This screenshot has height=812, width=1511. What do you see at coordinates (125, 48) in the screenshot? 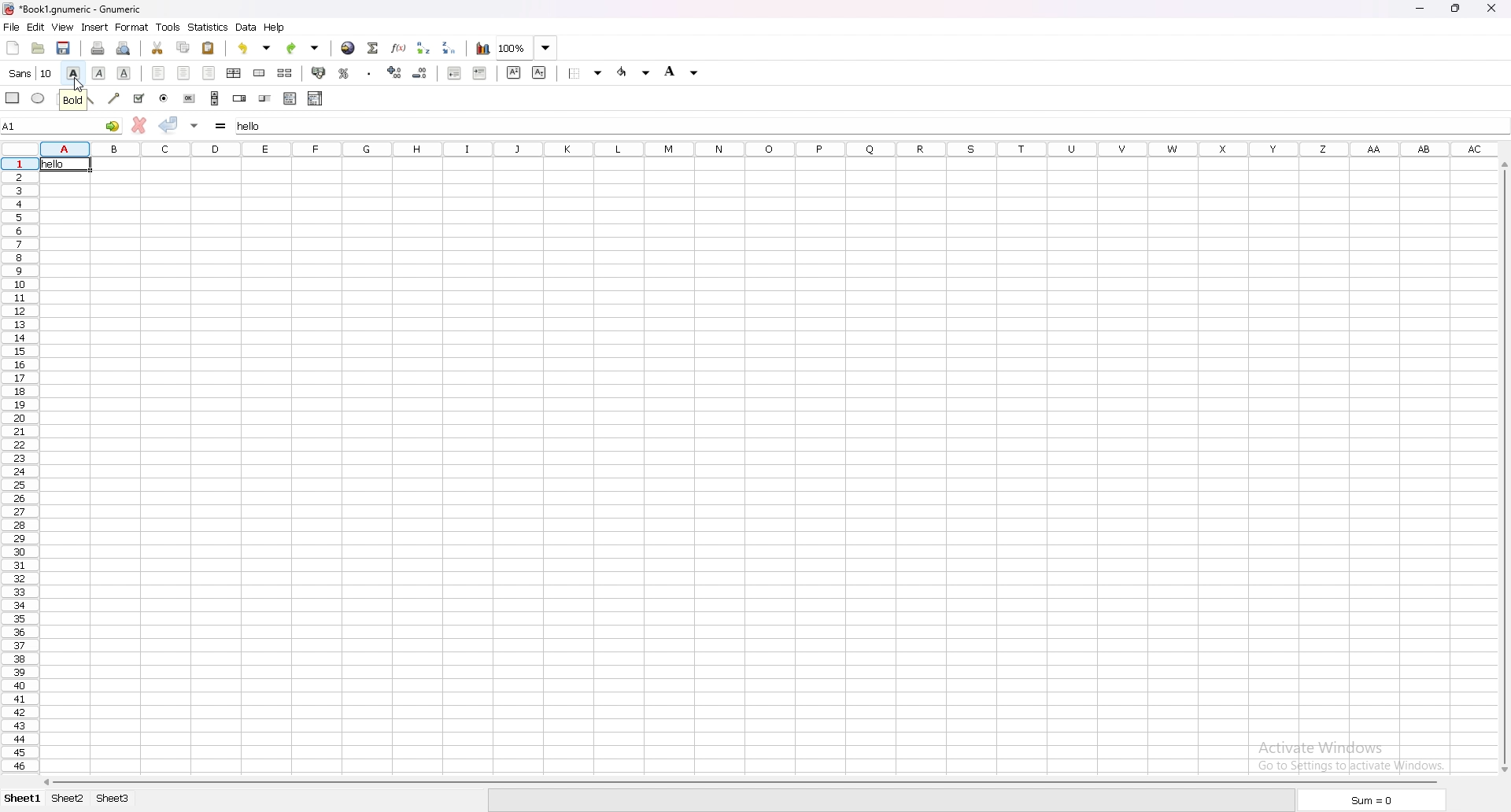
I see `print preview` at bounding box center [125, 48].